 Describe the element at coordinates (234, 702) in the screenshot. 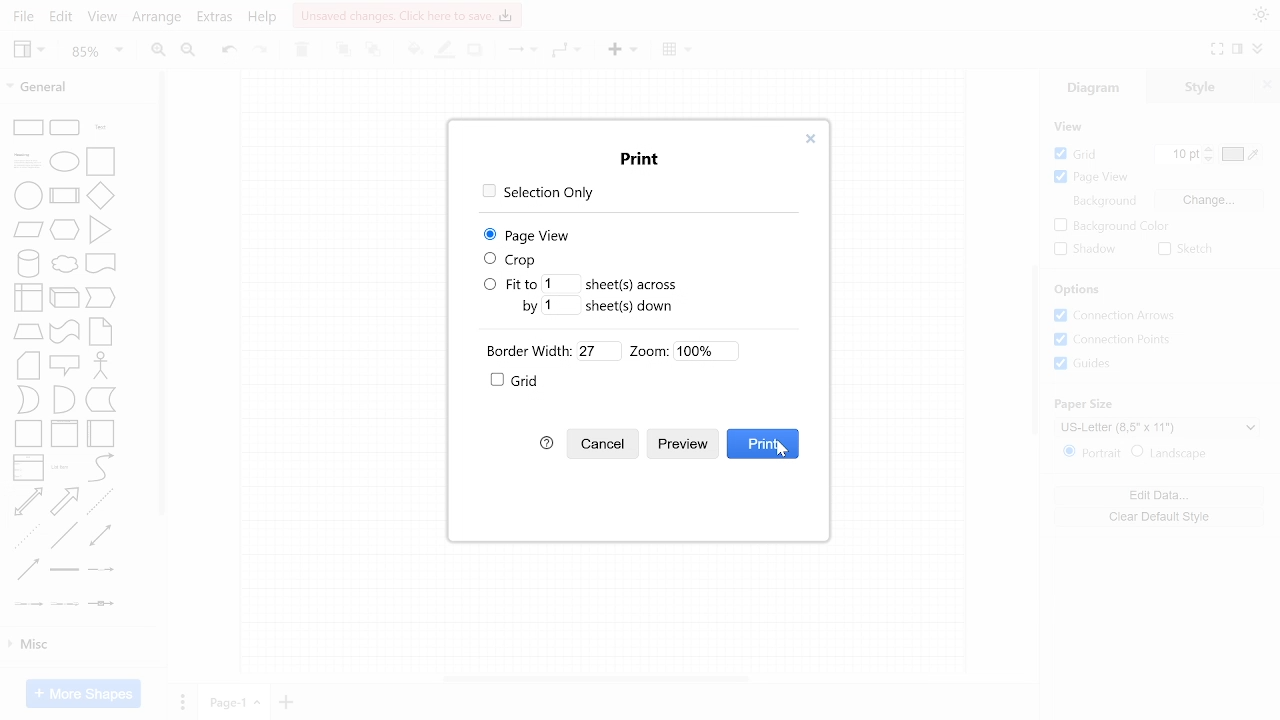

I see `Page-1, current page` at that location.